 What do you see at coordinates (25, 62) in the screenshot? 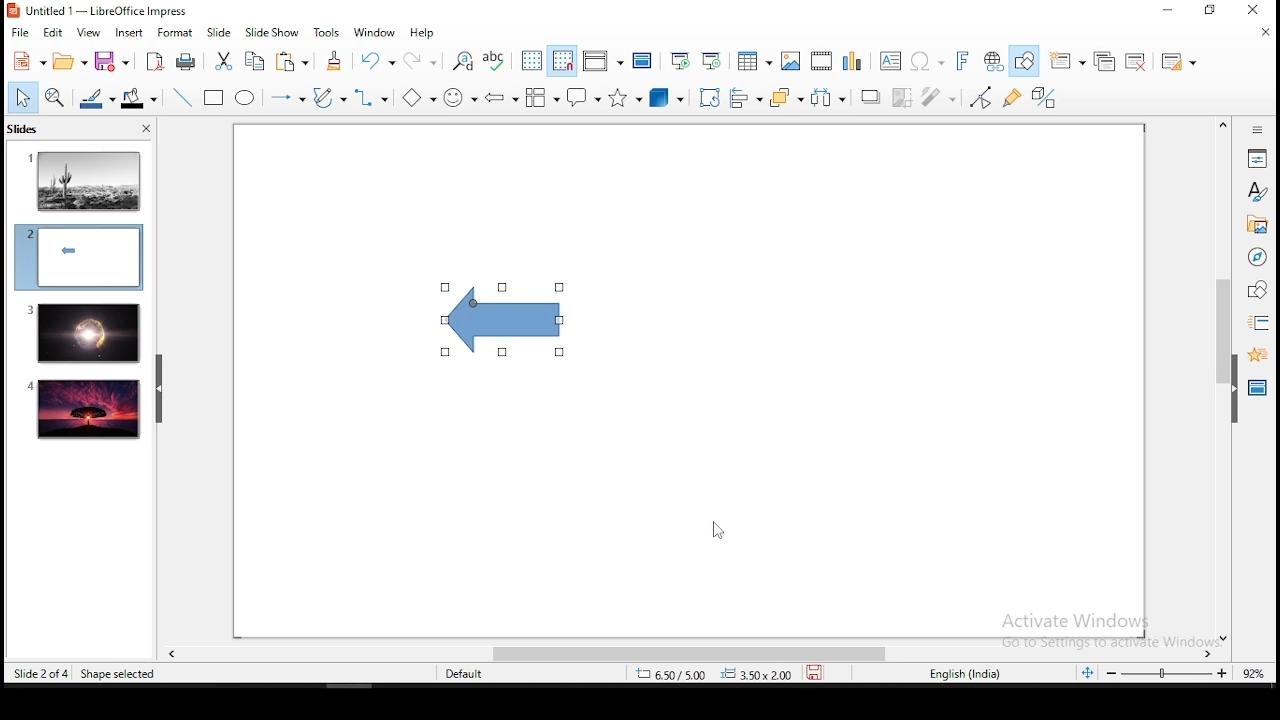
I see `new` at bounding box center [25, 62].